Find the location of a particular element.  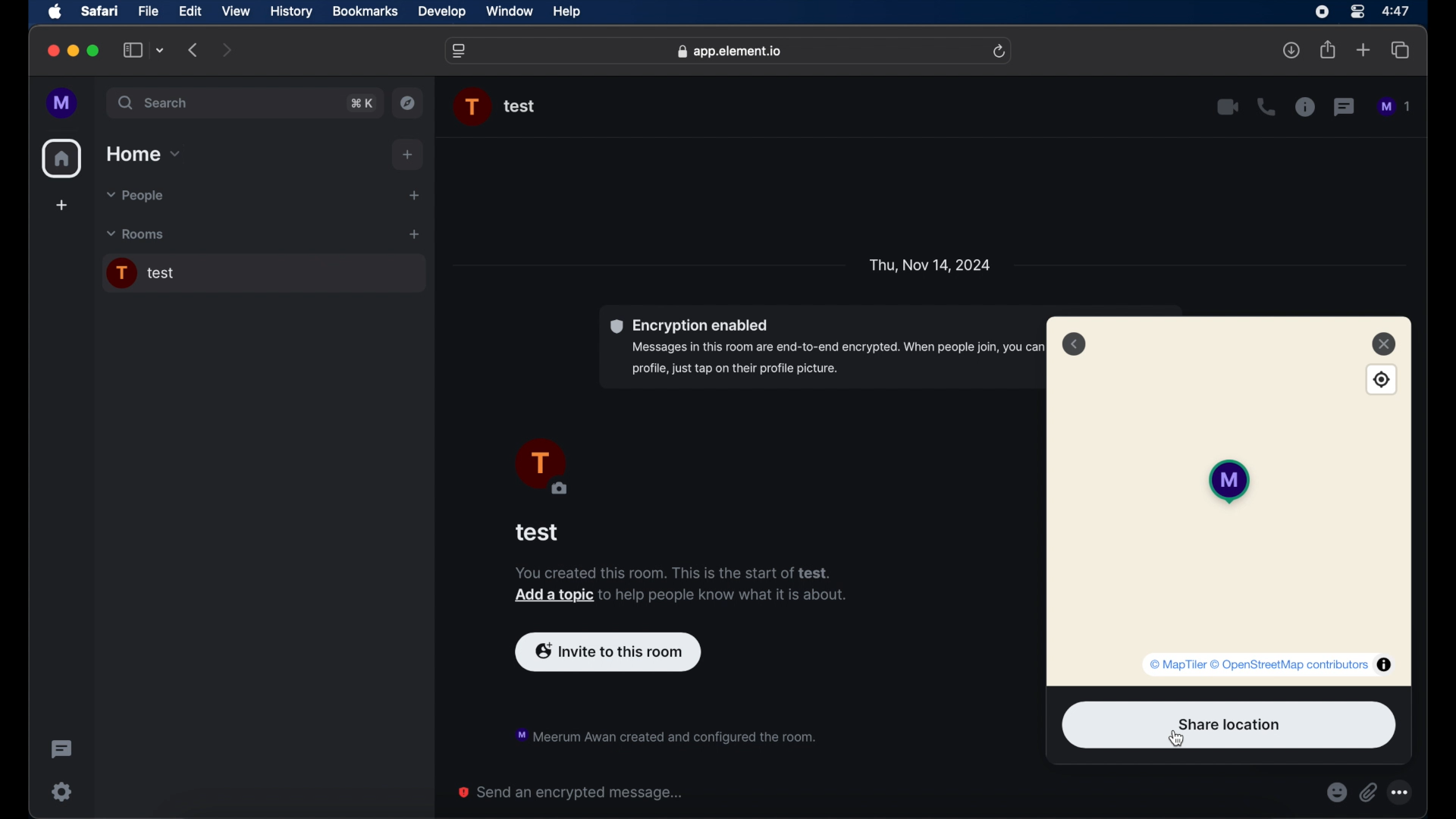

profile picture is located at coordinates (540, 468).